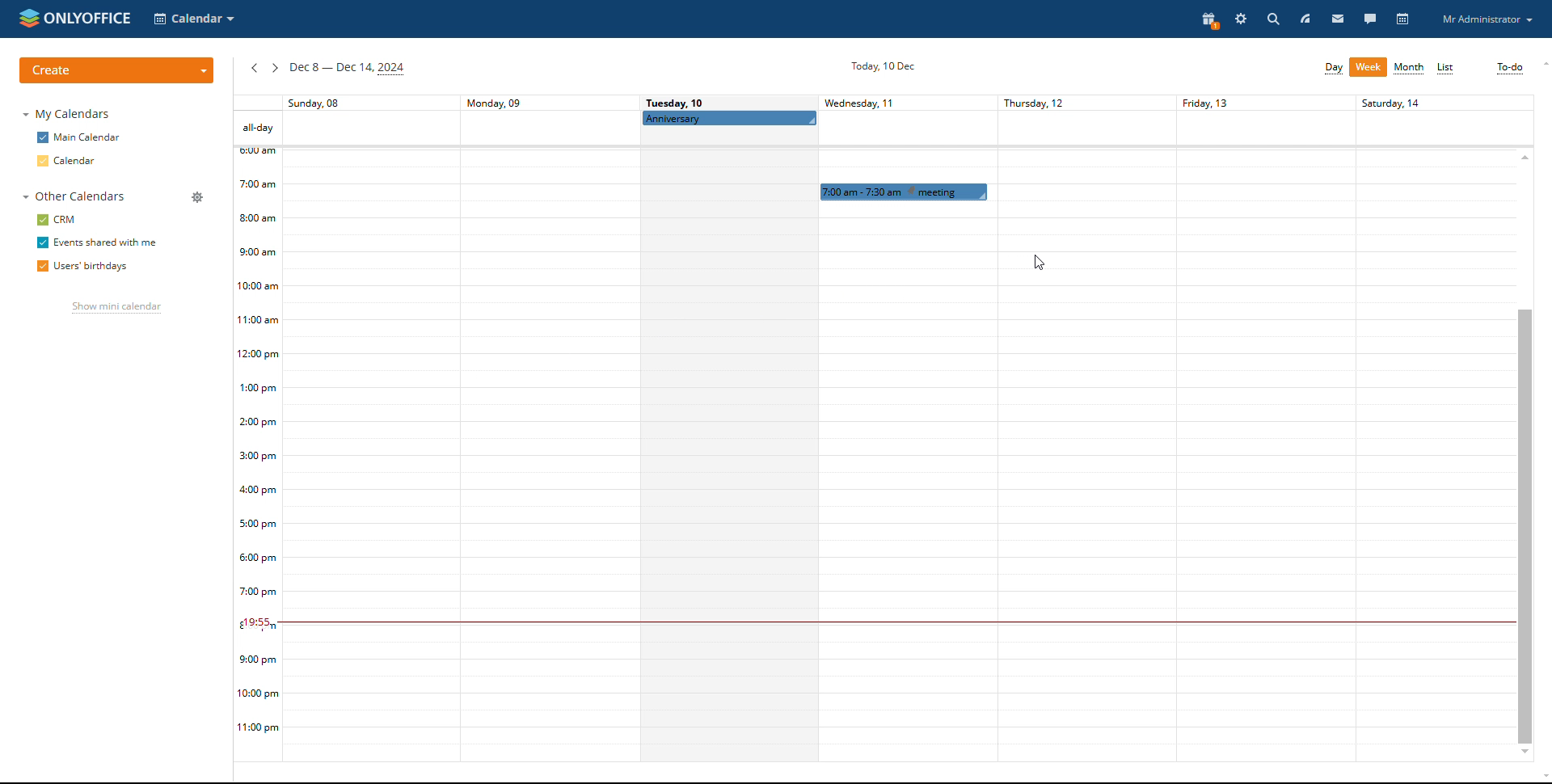 Image resolution: width=1552 pixels, height=784 pixels. I want to click on to-do, so click(1509, 68).